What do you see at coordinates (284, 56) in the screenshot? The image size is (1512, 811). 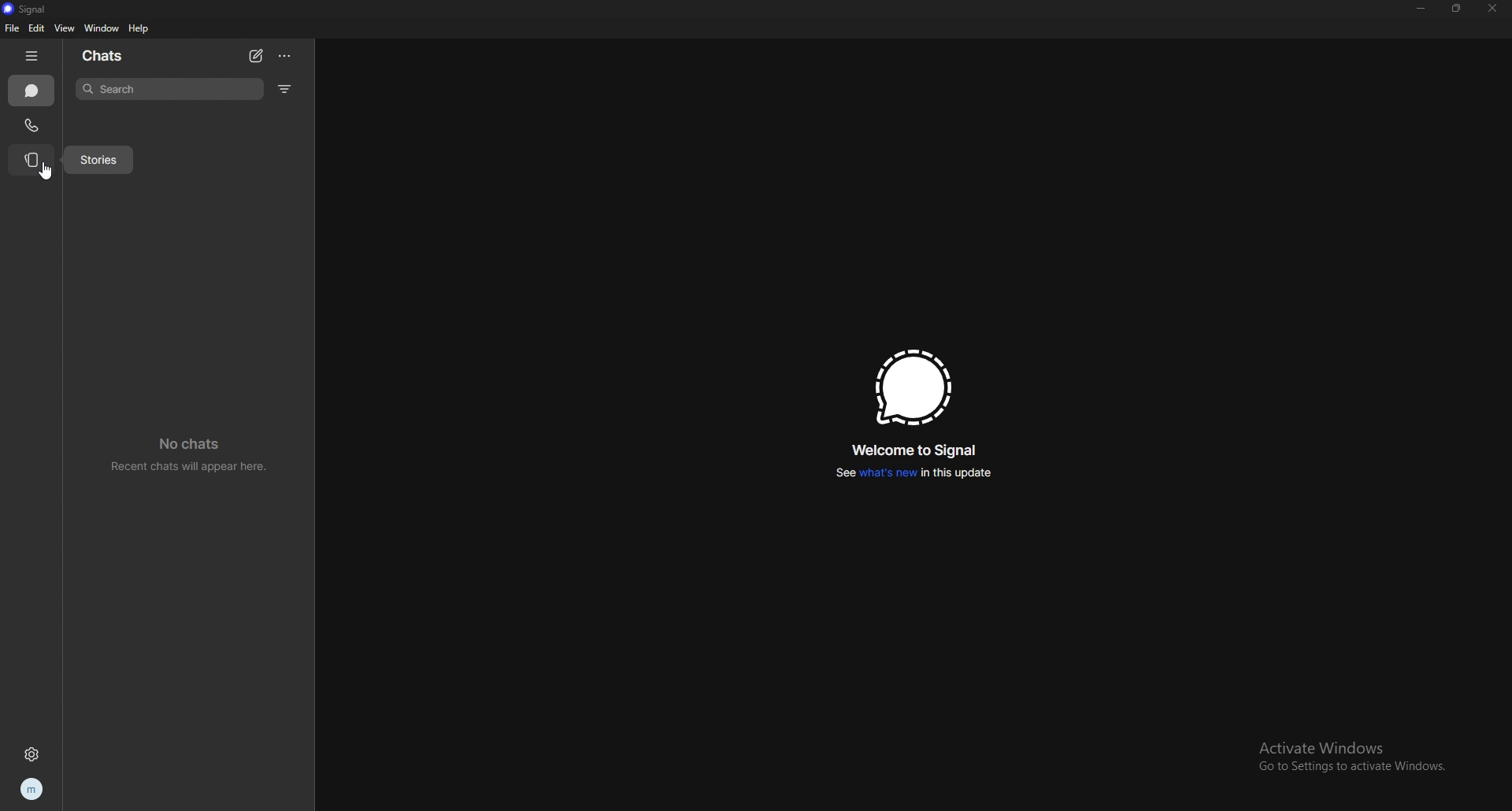 I see `options` at bounding box center [284, 56].